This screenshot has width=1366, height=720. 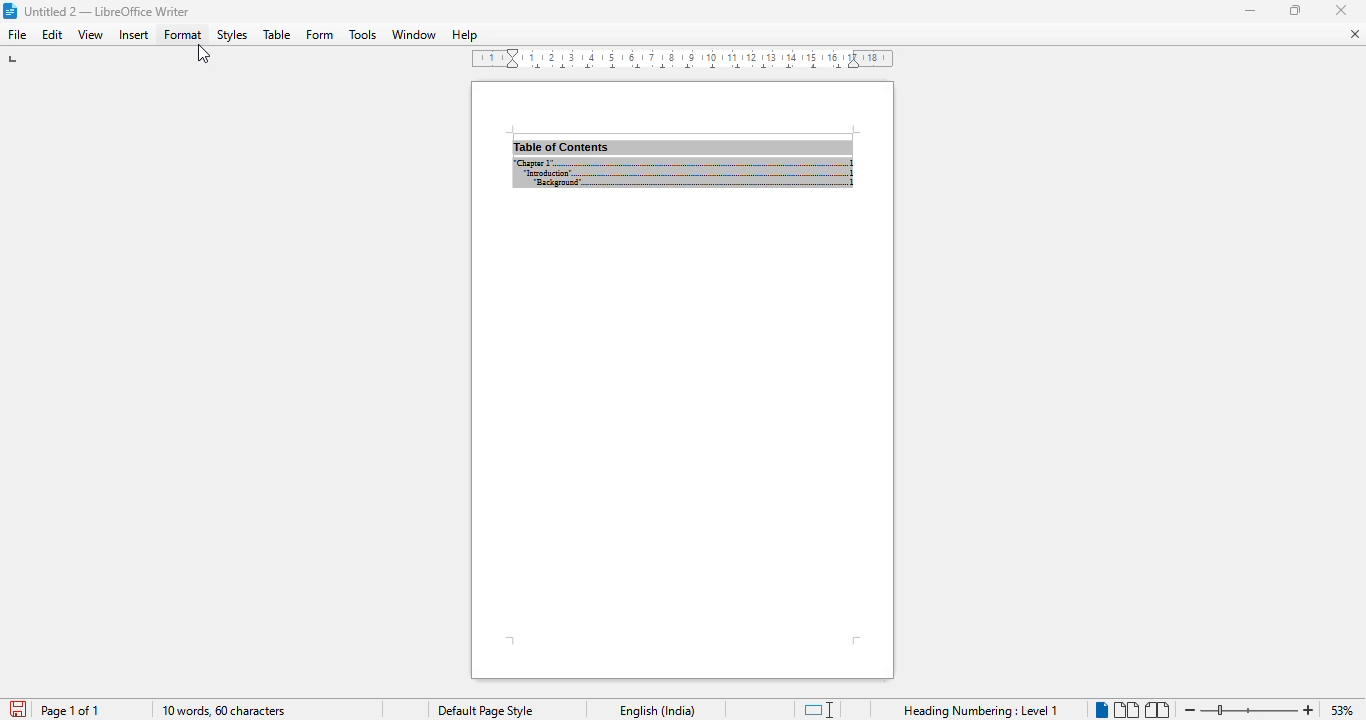 I want to click on single-page view, so click(x=1101, y=710).